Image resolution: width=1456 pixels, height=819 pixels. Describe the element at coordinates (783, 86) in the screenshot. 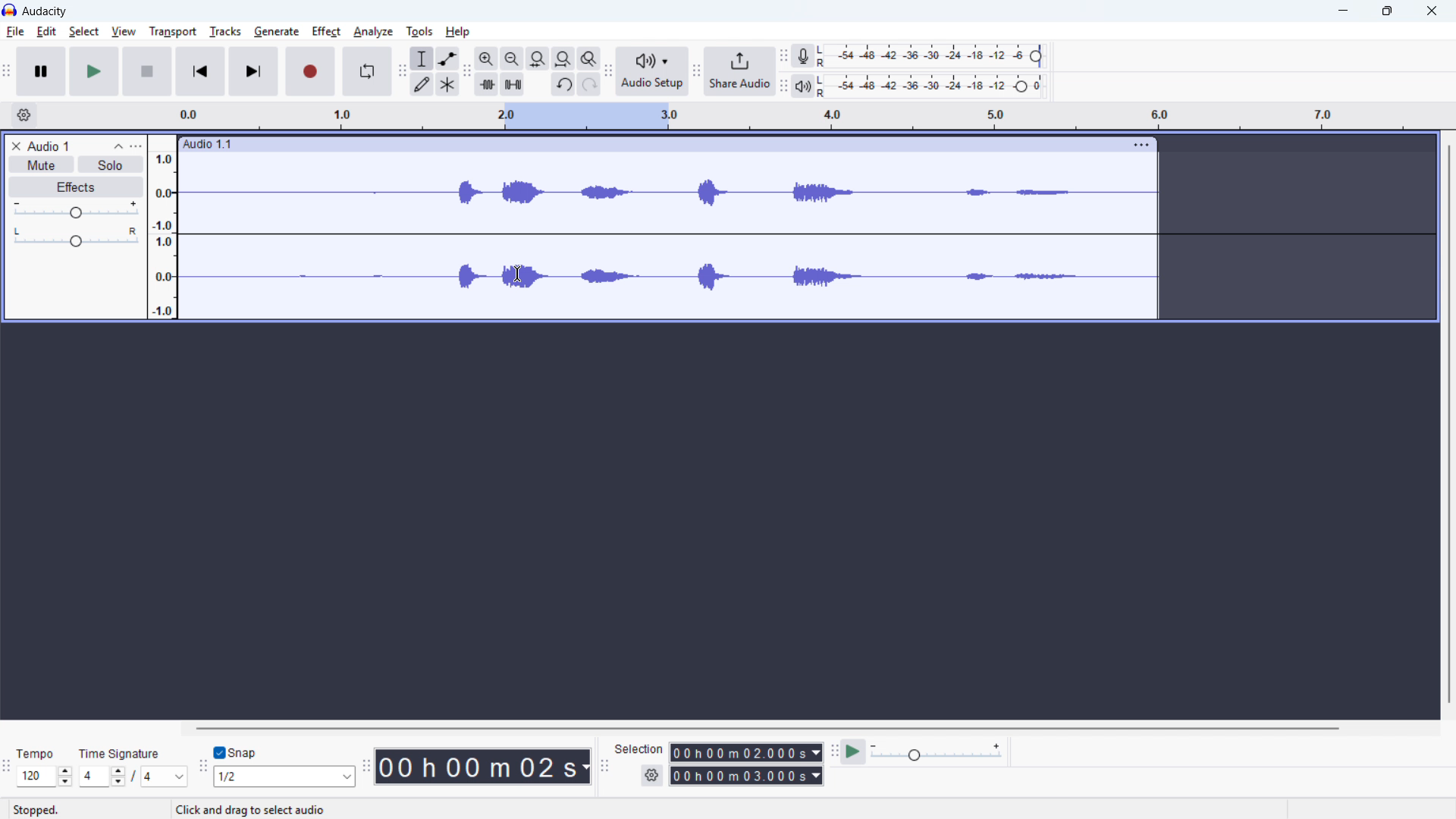

I see `Playback metre toolbar` at that location.